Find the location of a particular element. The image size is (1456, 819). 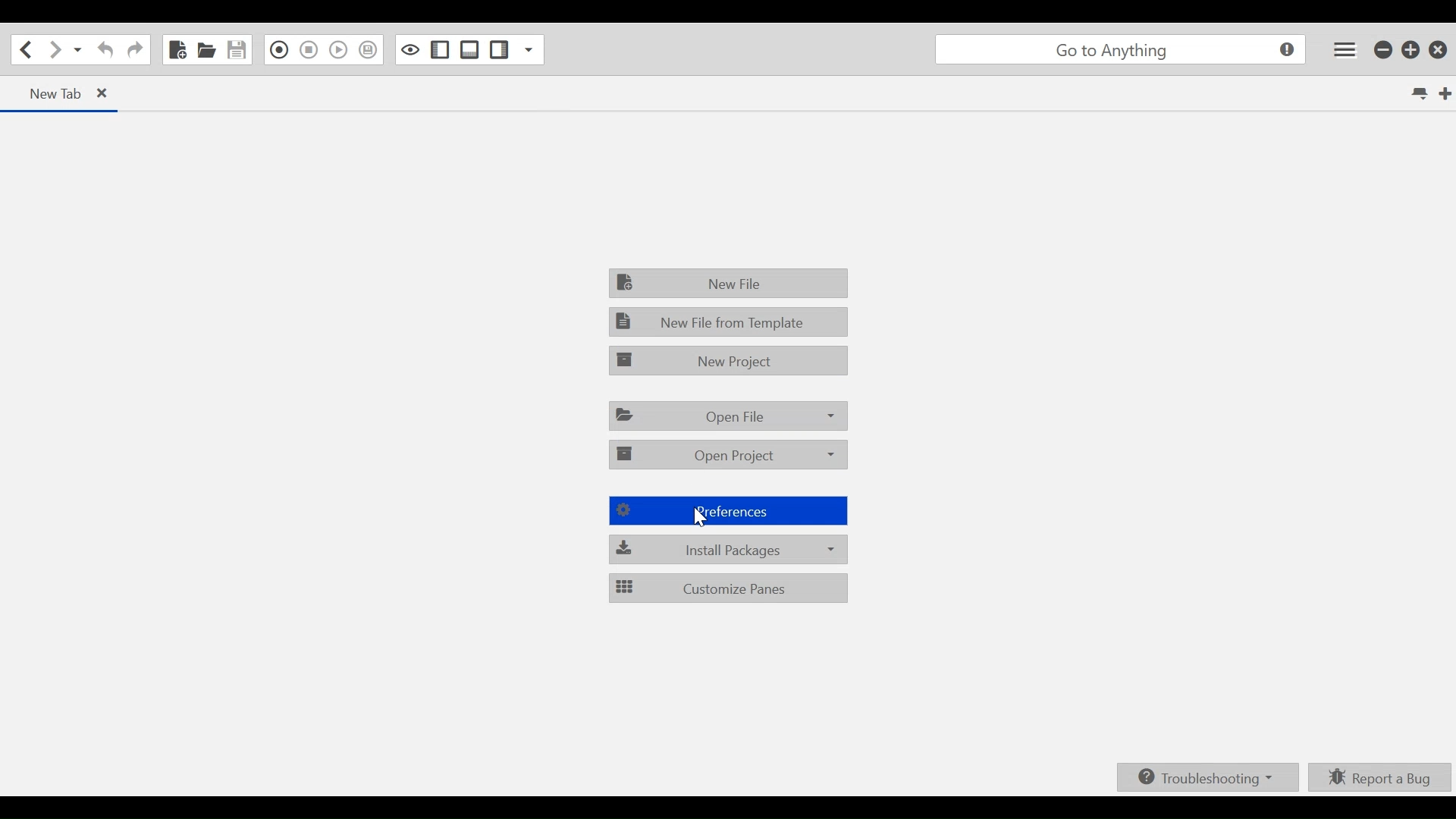

Current Tab is located at coordinates (62, 95).